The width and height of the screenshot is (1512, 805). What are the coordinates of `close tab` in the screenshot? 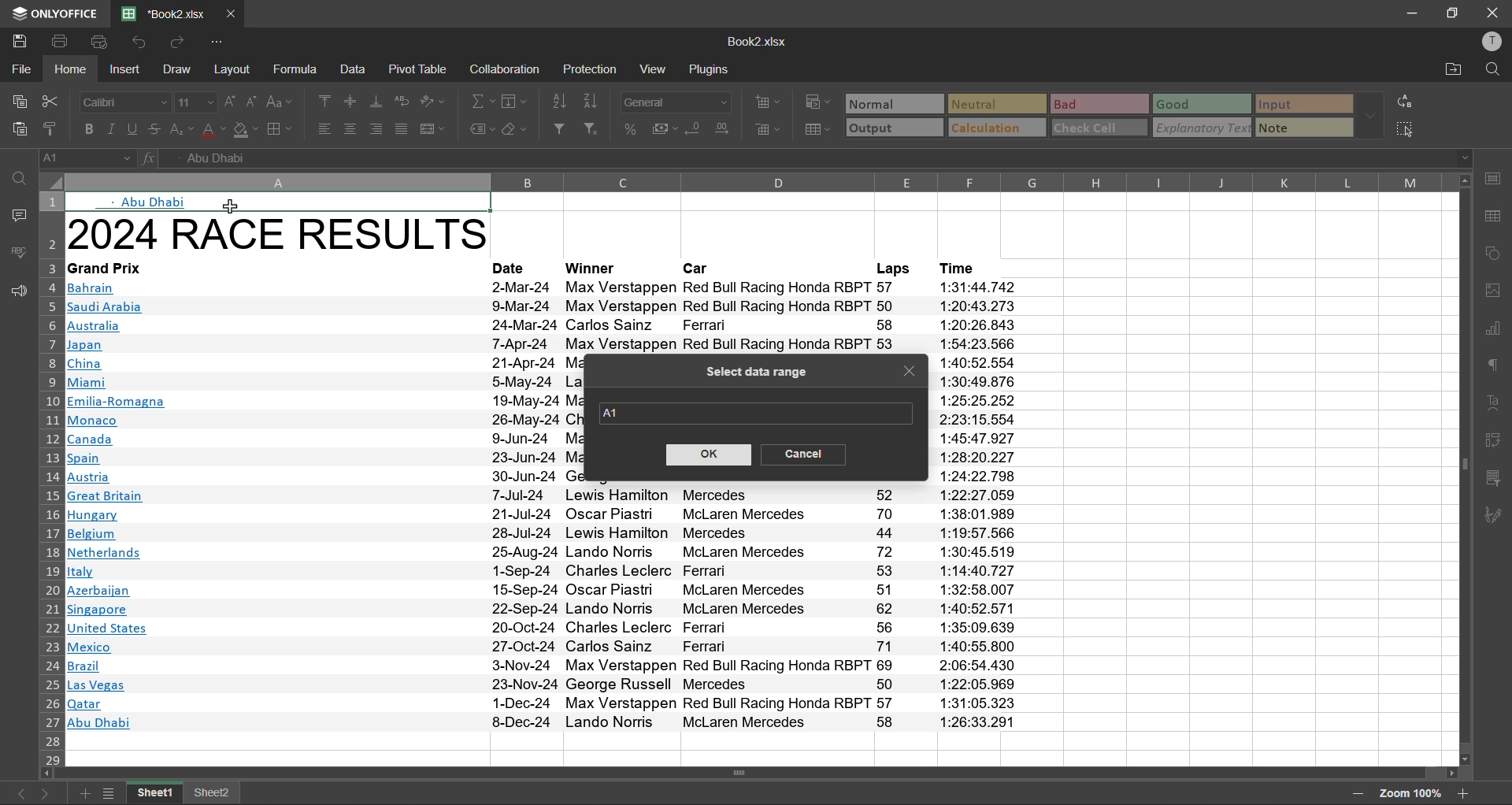 It's located at (913, 370).